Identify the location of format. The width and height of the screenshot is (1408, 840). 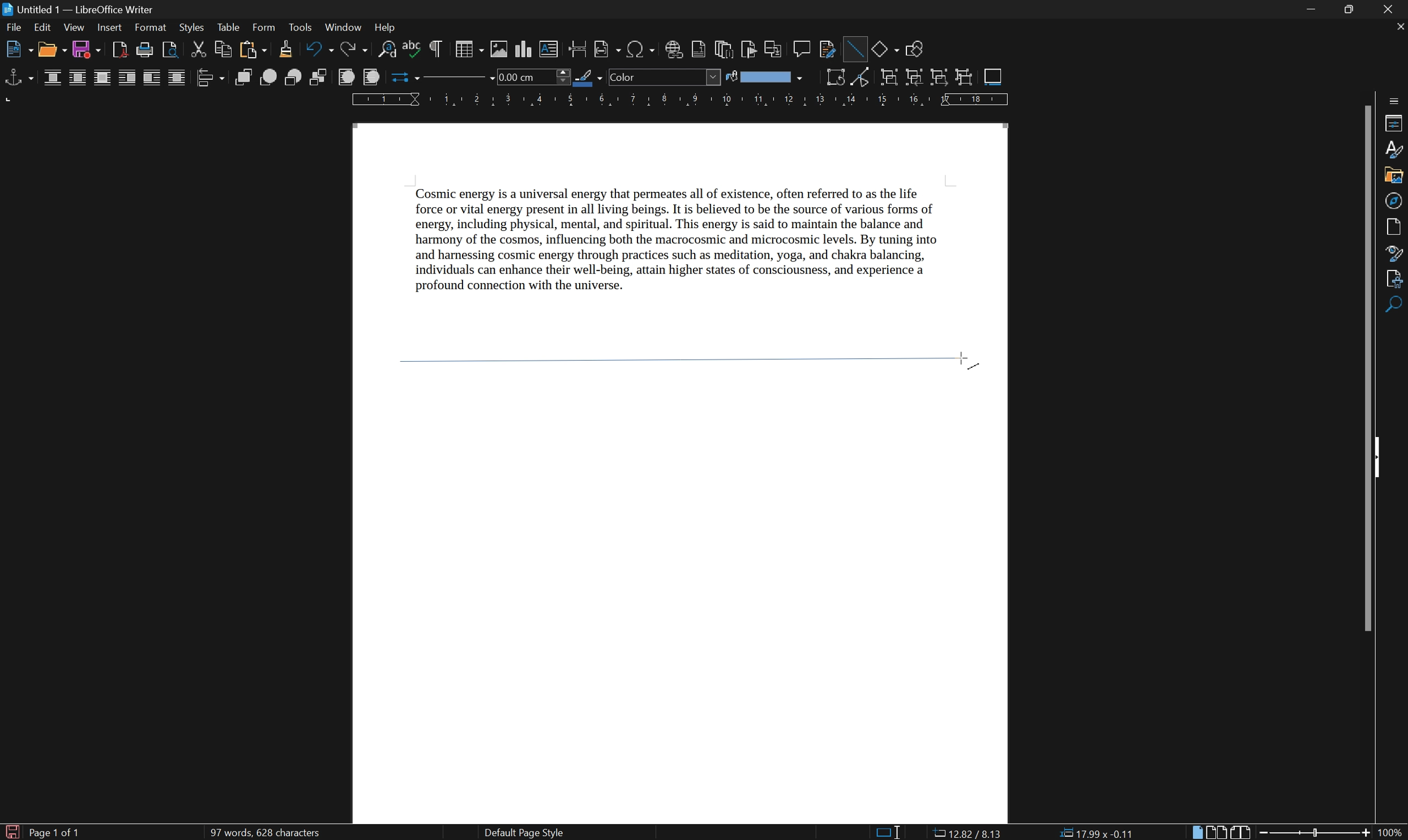
(151, 28).